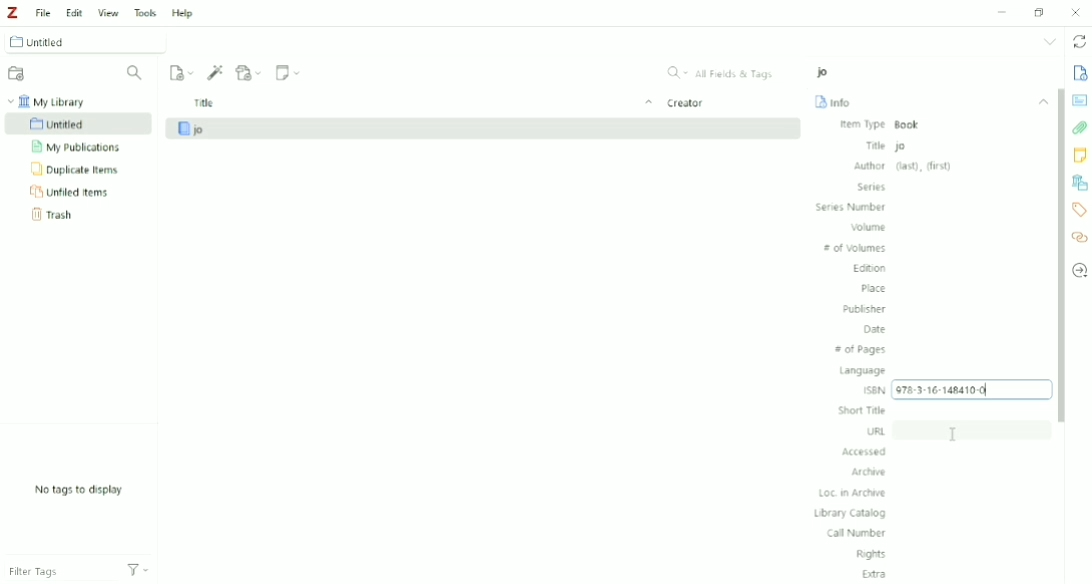 This screenshot has height=584, width=1092. I want to click on Trash, so click(57, 217).